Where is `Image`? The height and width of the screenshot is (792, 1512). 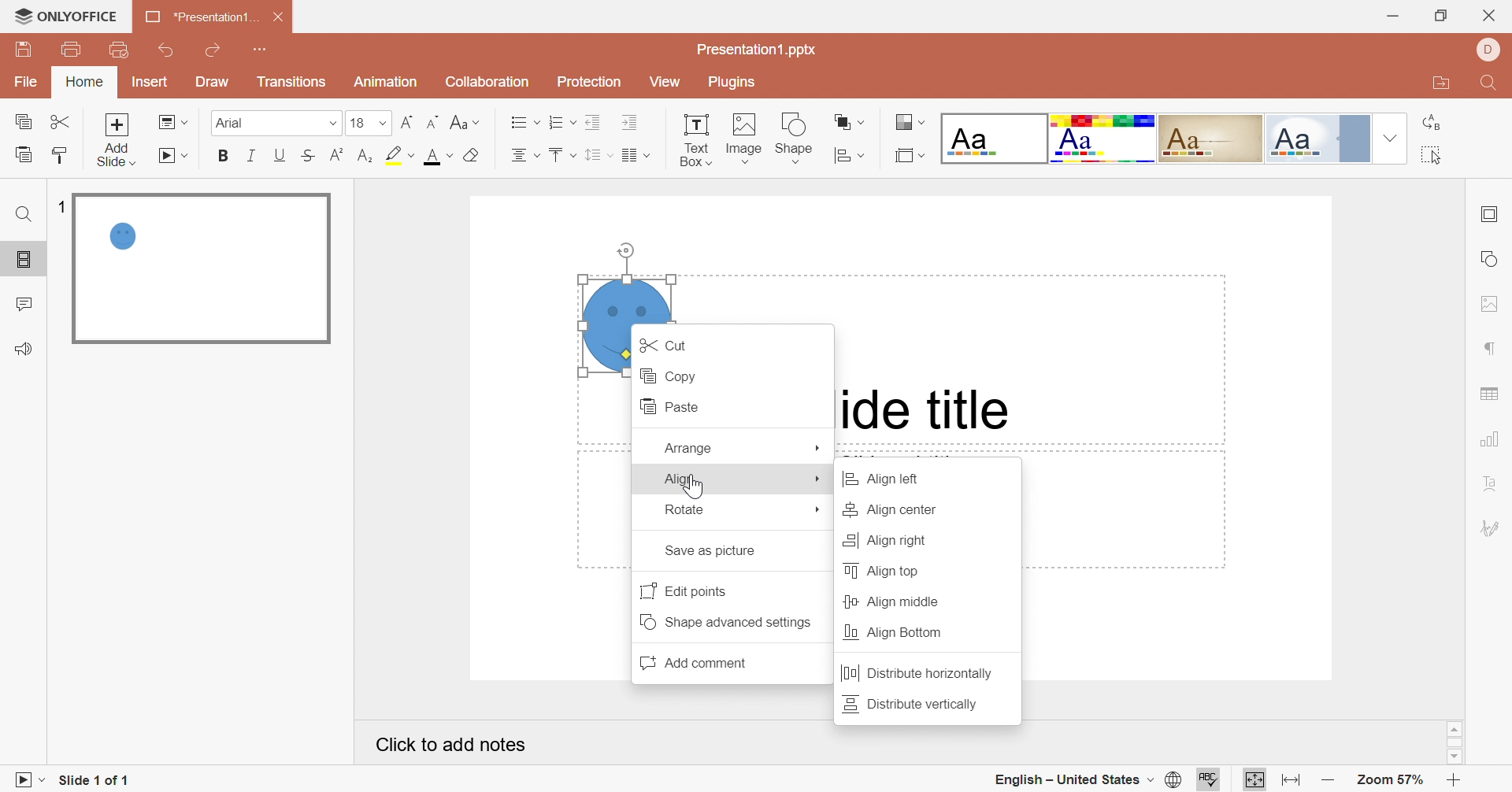
Image is located at coordinates (744, 138).